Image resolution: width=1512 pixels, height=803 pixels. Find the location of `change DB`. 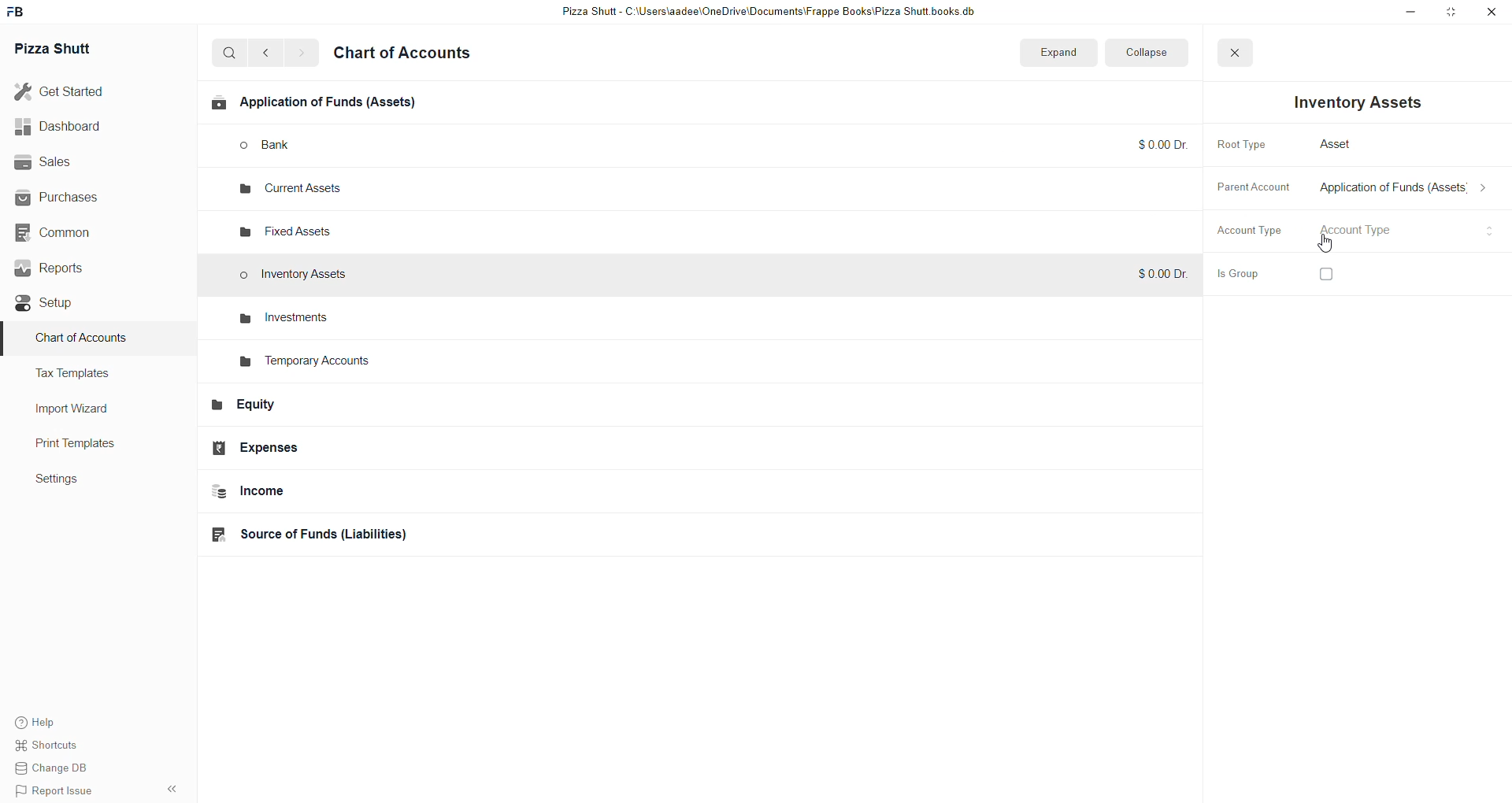

change DB is located at coordinates (51, 771).